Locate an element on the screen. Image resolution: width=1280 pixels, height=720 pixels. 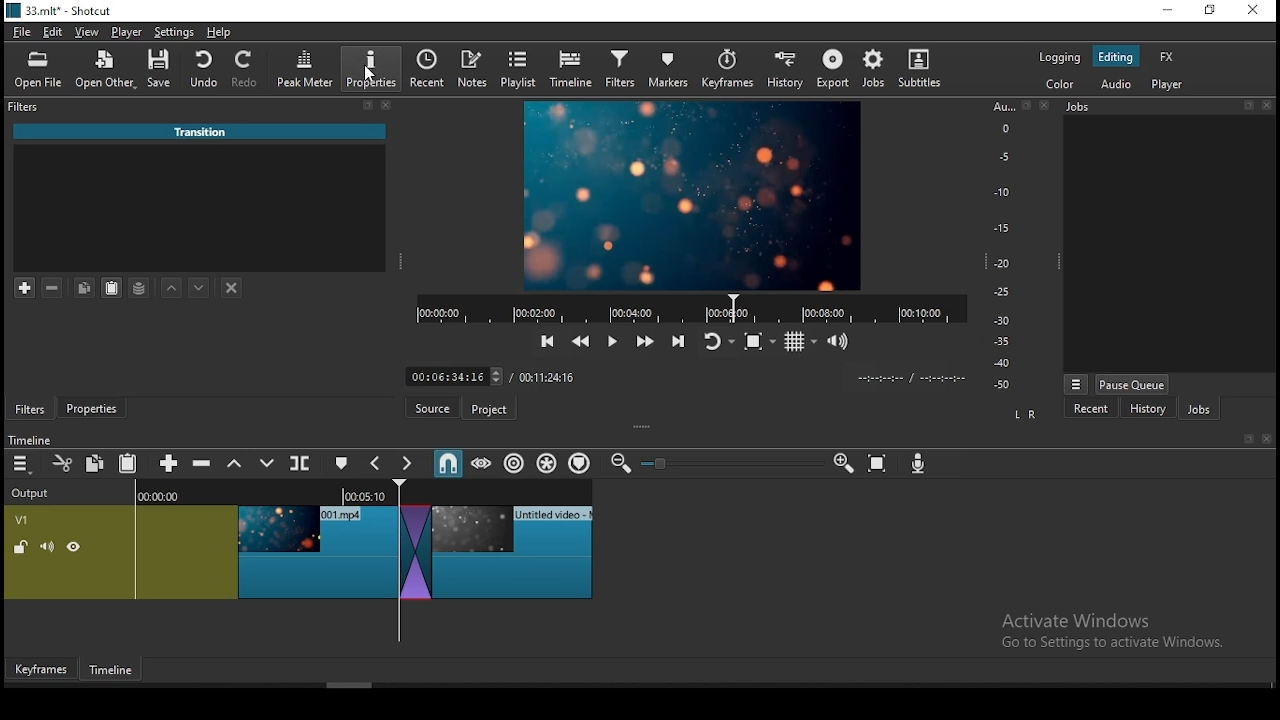
ripple all tracks is located at coordinates (548, 462).